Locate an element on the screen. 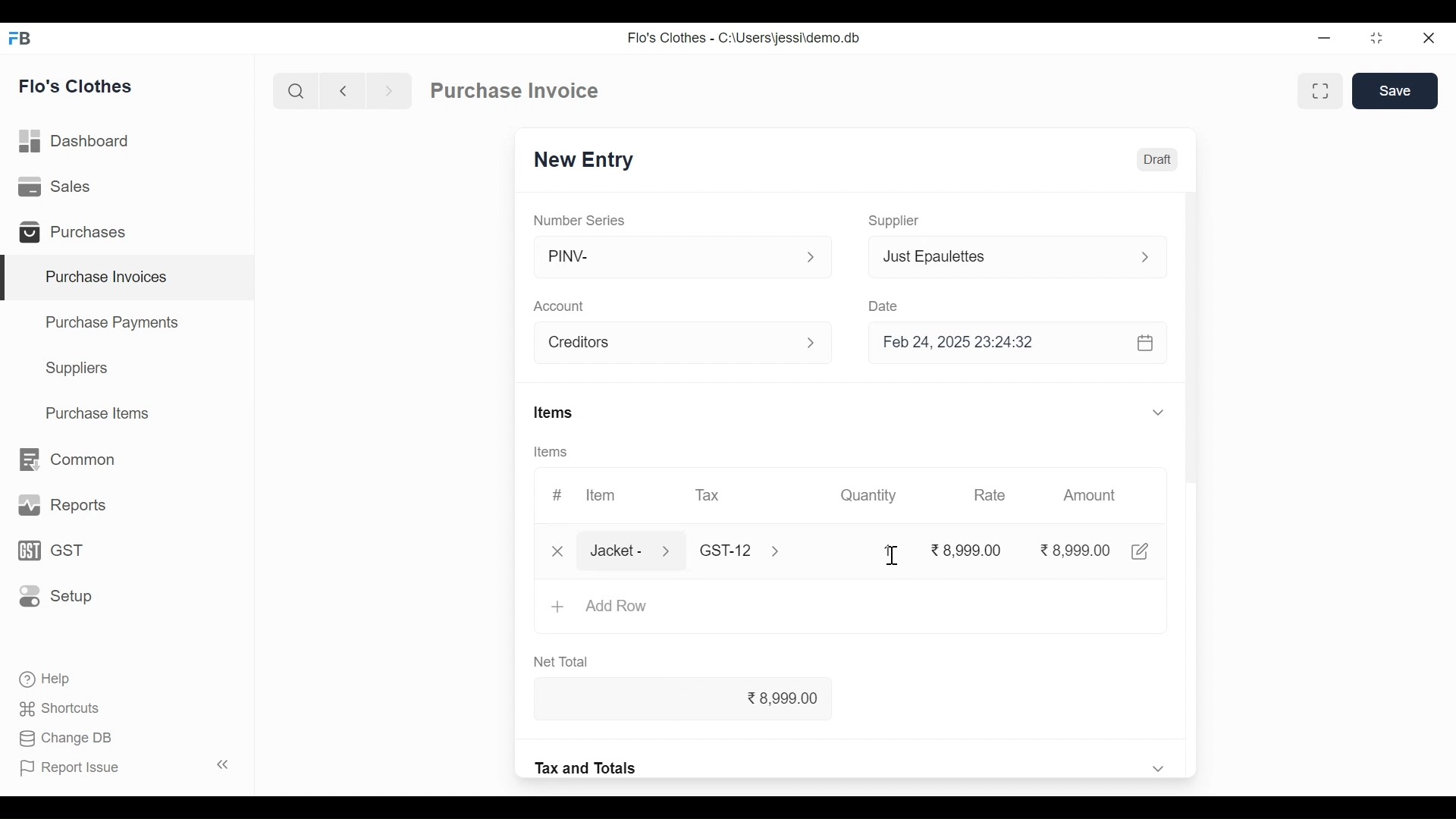 The image size is (1456, 819). Setup is located at coordinates (52, 597).